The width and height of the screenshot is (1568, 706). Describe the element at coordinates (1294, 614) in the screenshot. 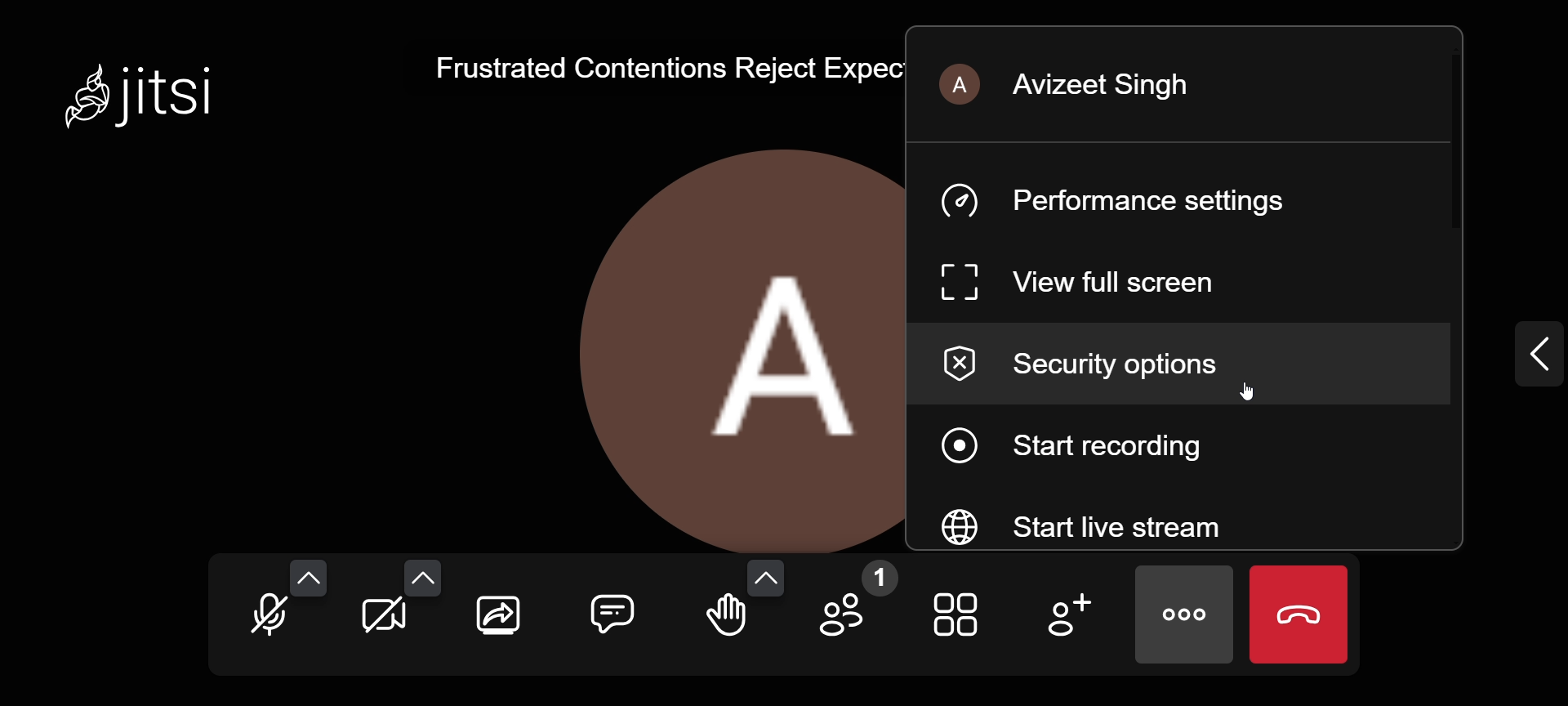

I see `end call` at that location.